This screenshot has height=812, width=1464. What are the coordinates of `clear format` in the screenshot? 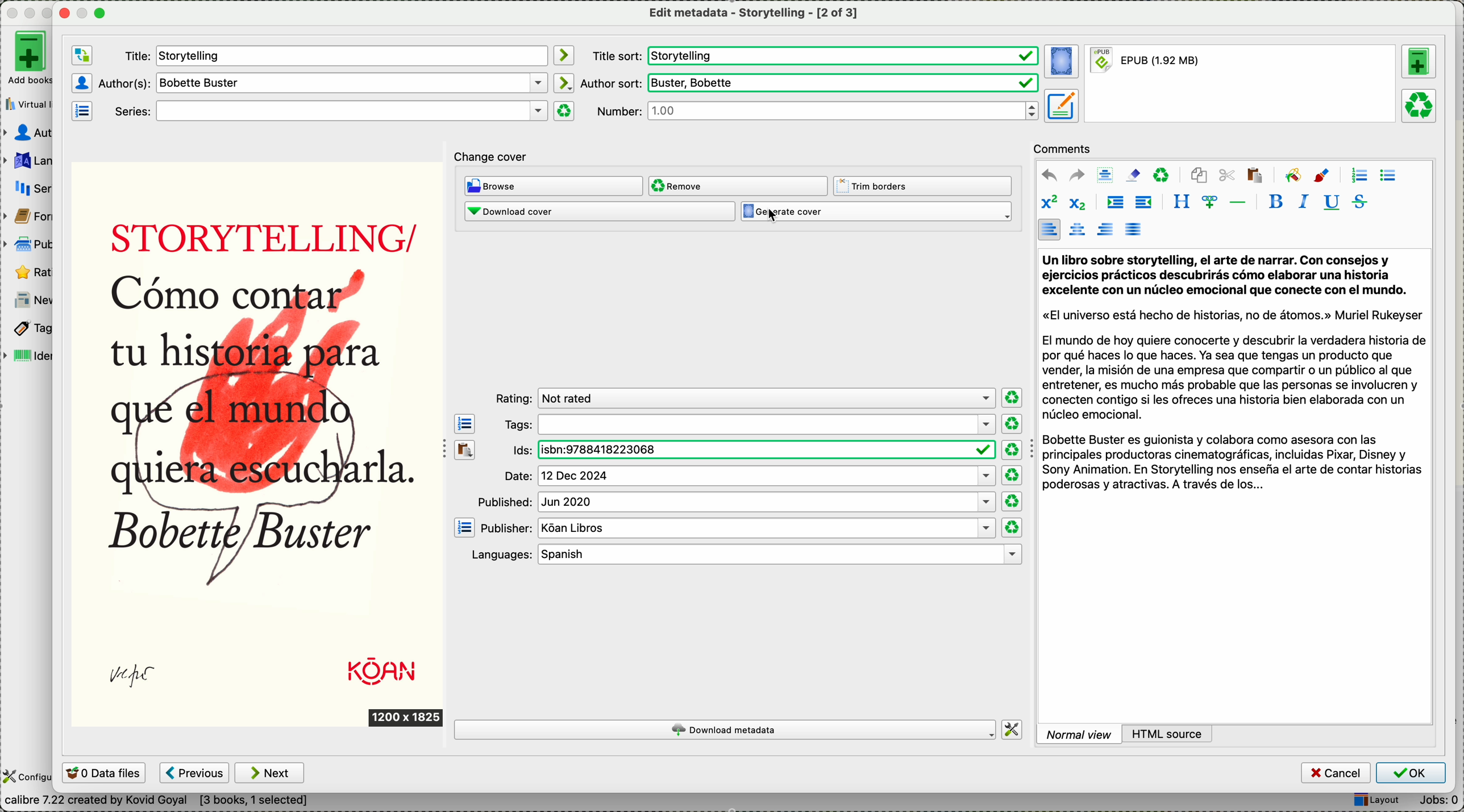 It's located at (564, 111).